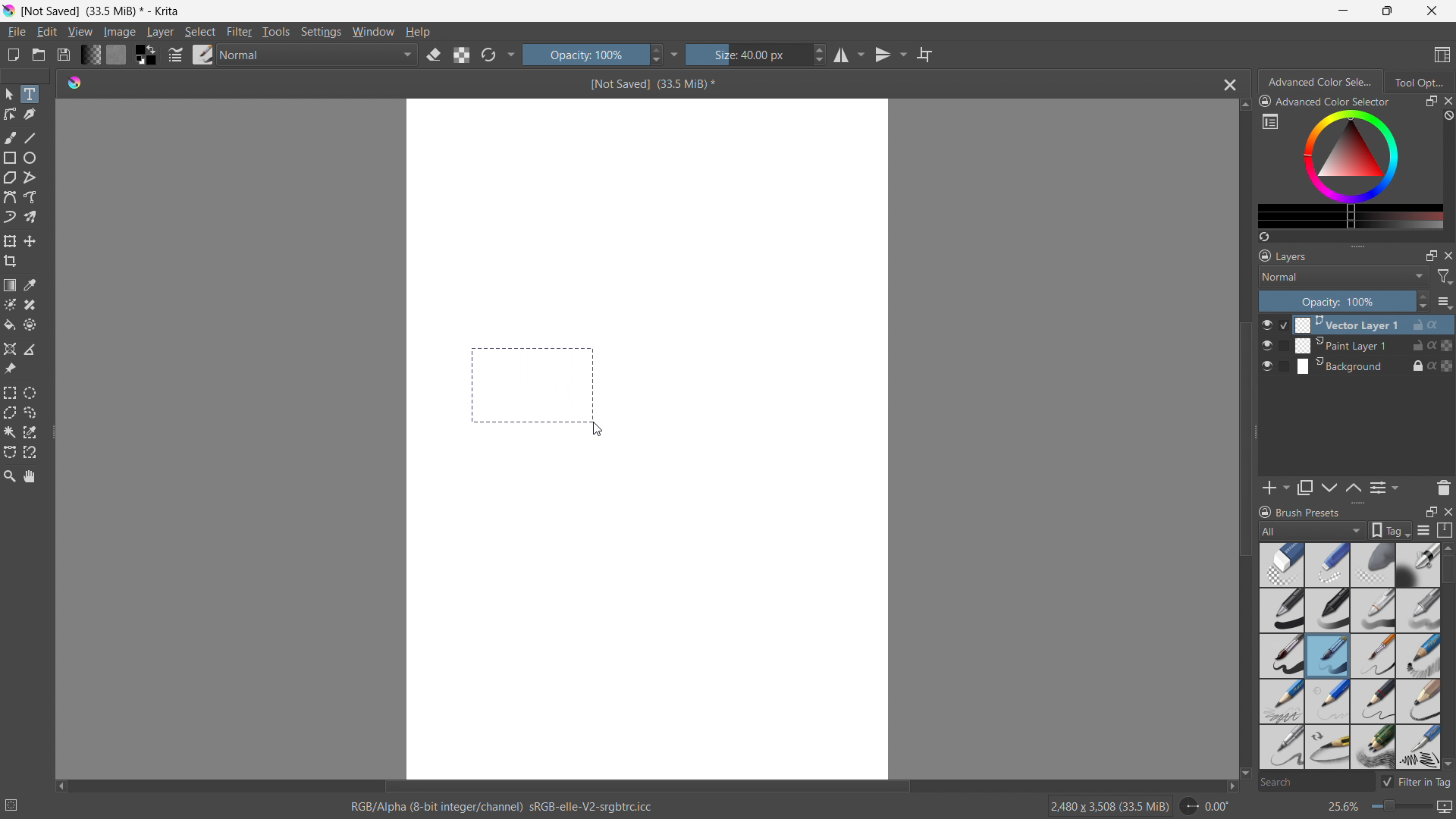 The height and width of the screenshot is (819, 1456). I want to click on maximize, so click(1385, 11).